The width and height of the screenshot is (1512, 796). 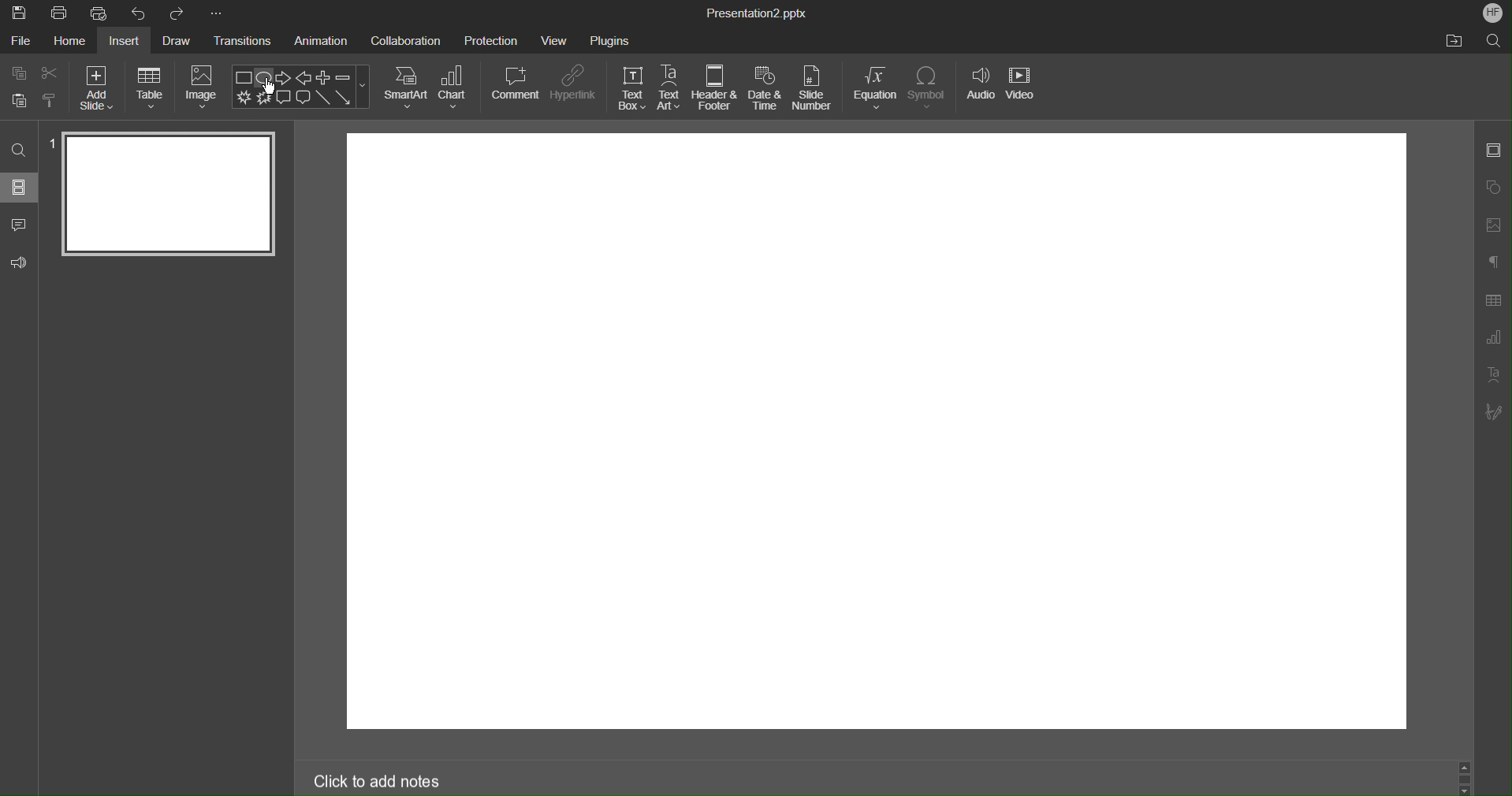 What do you see at coordinates (20, 42) in the screenshot?
I see `File` at bounding box center [20, 42].